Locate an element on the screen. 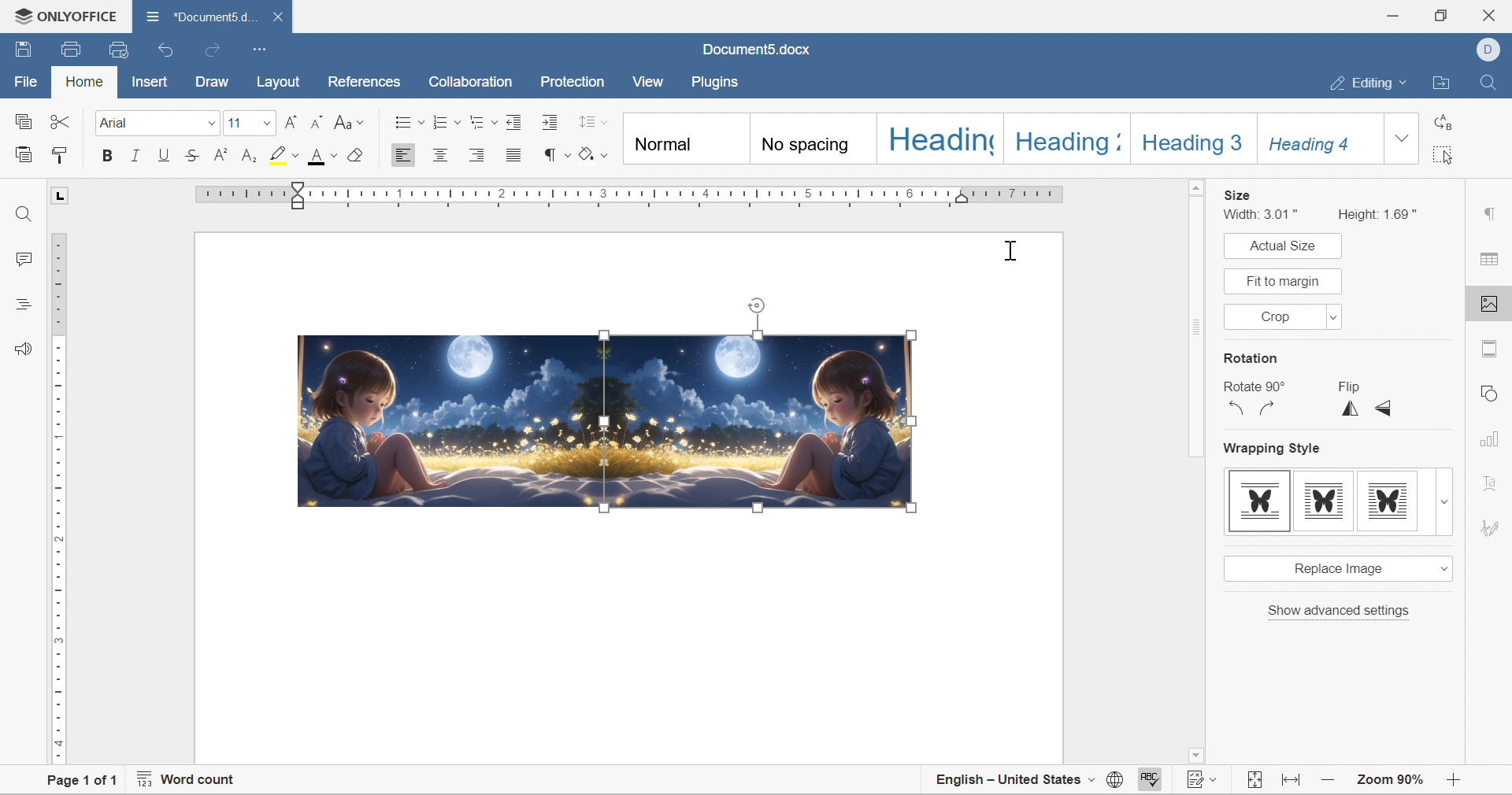  bold is located at coordinates (107, 155).